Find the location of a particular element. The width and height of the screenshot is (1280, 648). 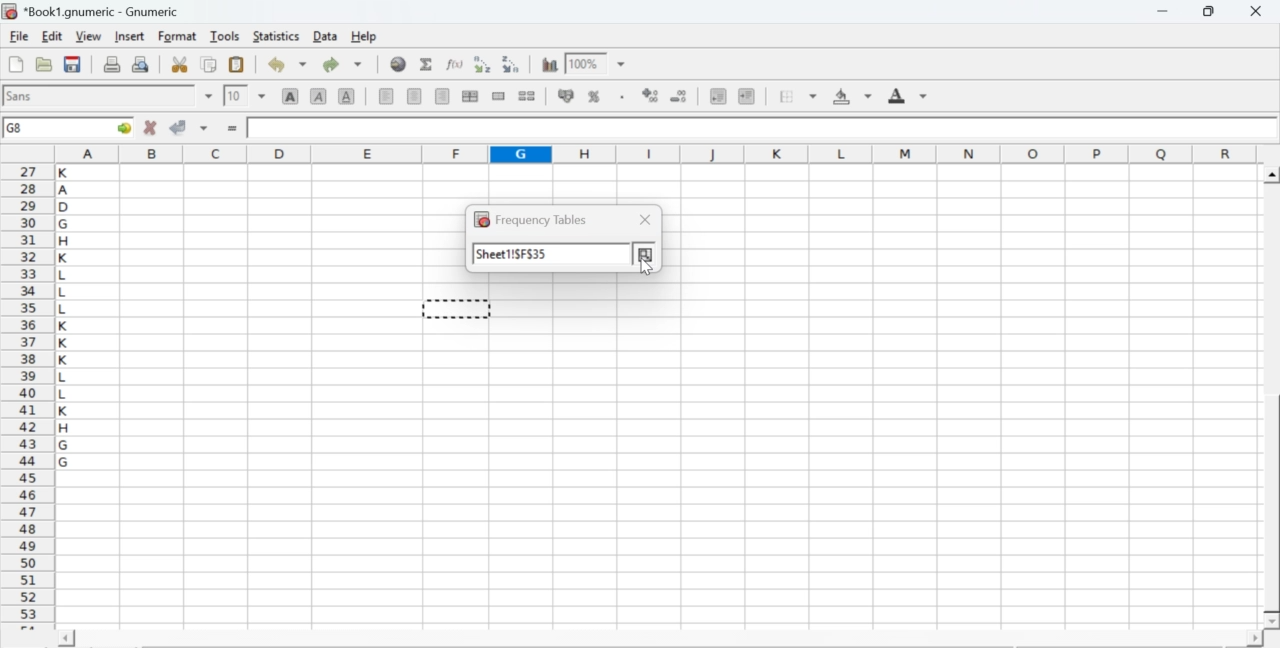

G8 is located at coordinates (17, 128).